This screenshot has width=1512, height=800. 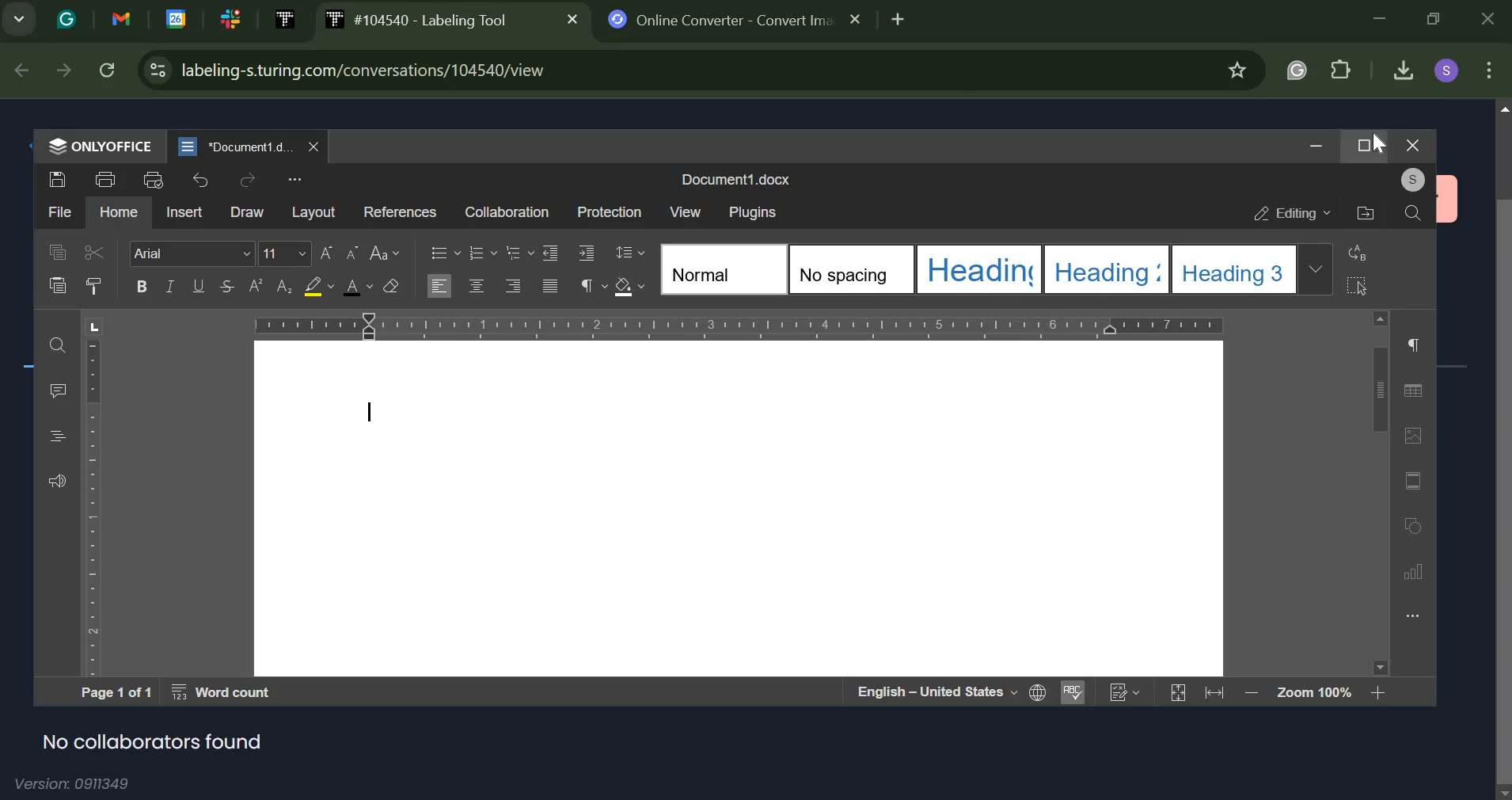 I want to click on search, so click(x=59, y=345).